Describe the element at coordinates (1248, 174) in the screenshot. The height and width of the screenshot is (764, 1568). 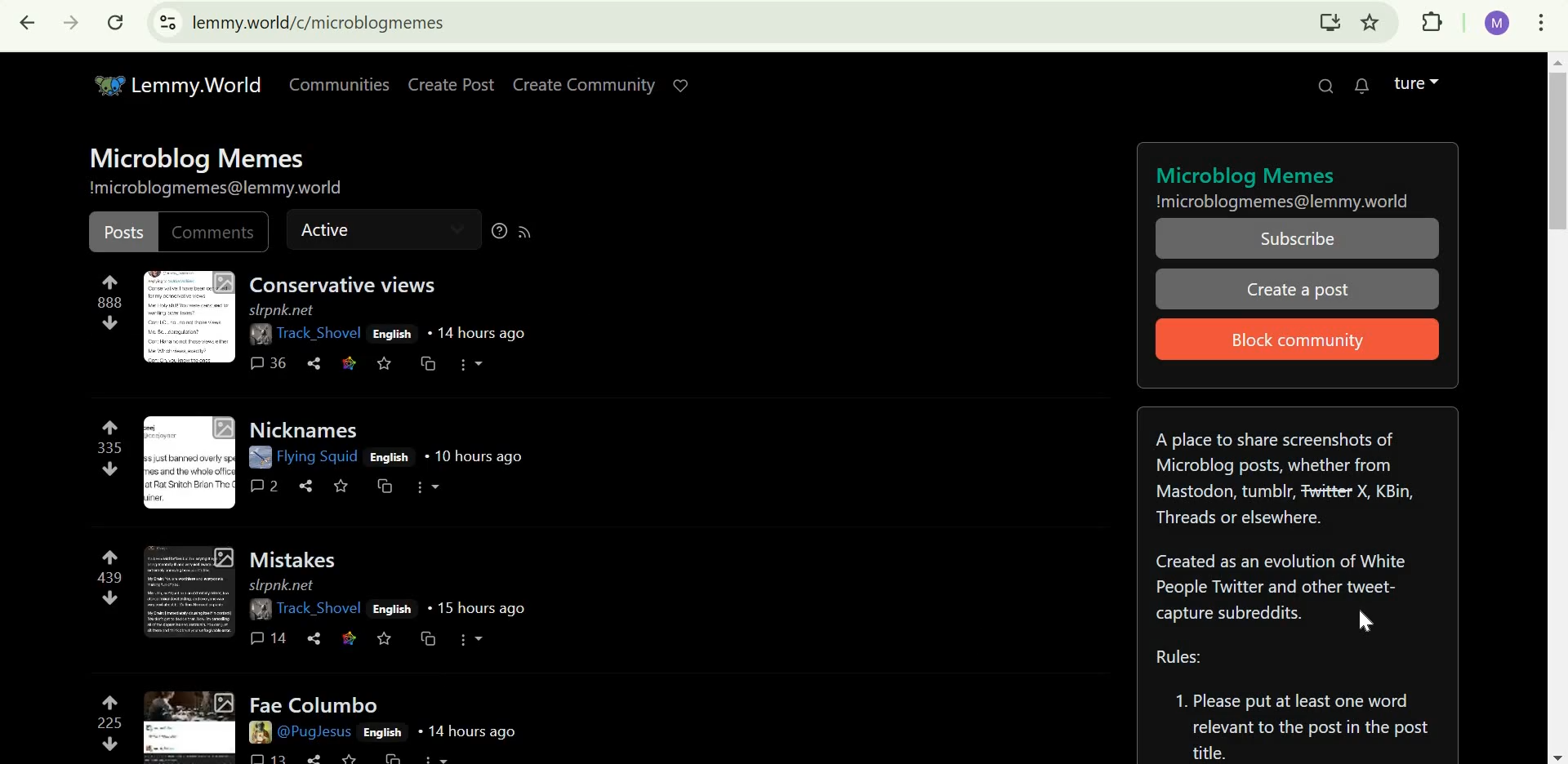
I see `Microblog memes` at that location.